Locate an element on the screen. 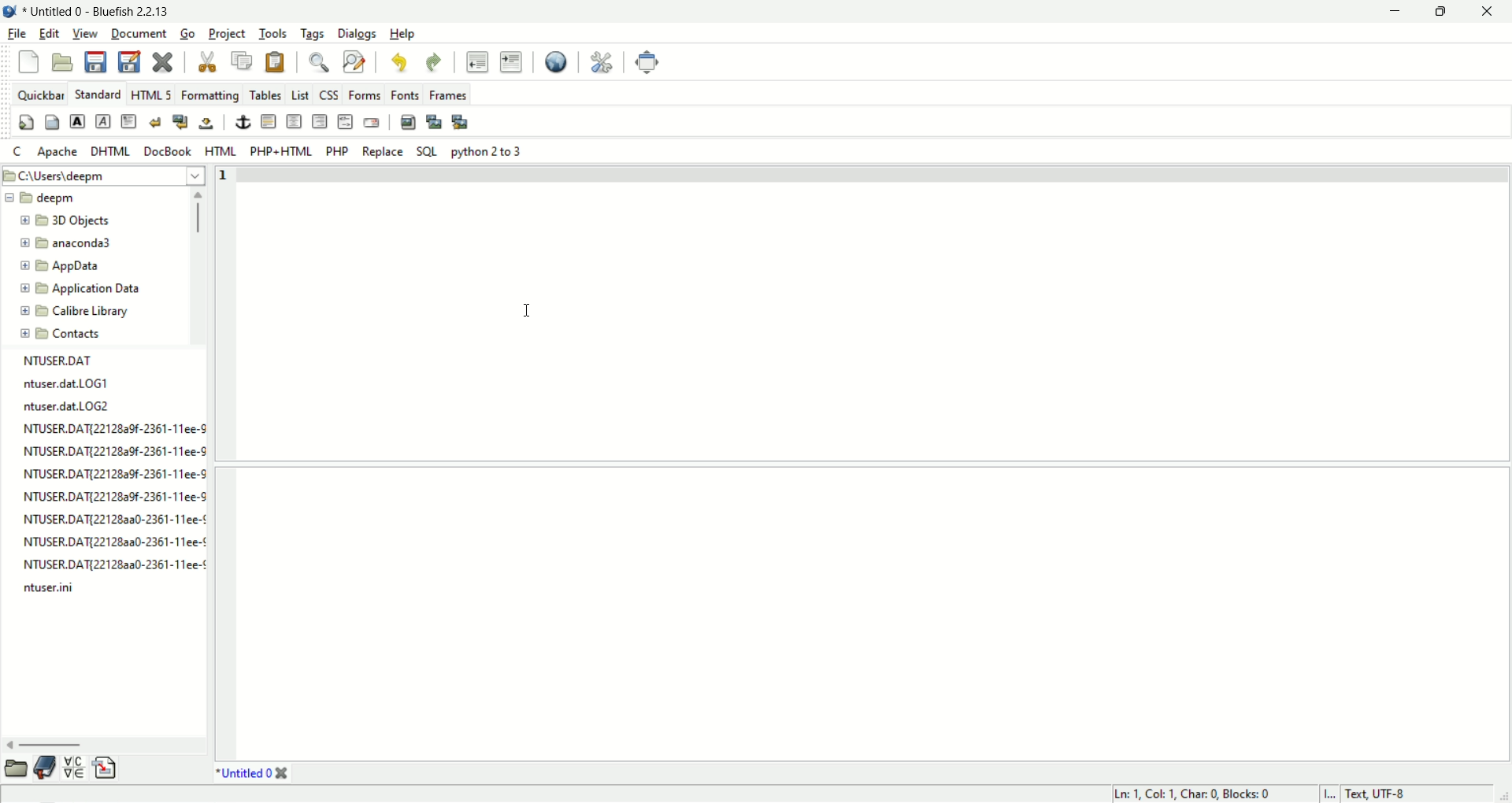  quick settings is located at coordinates (27, 124).